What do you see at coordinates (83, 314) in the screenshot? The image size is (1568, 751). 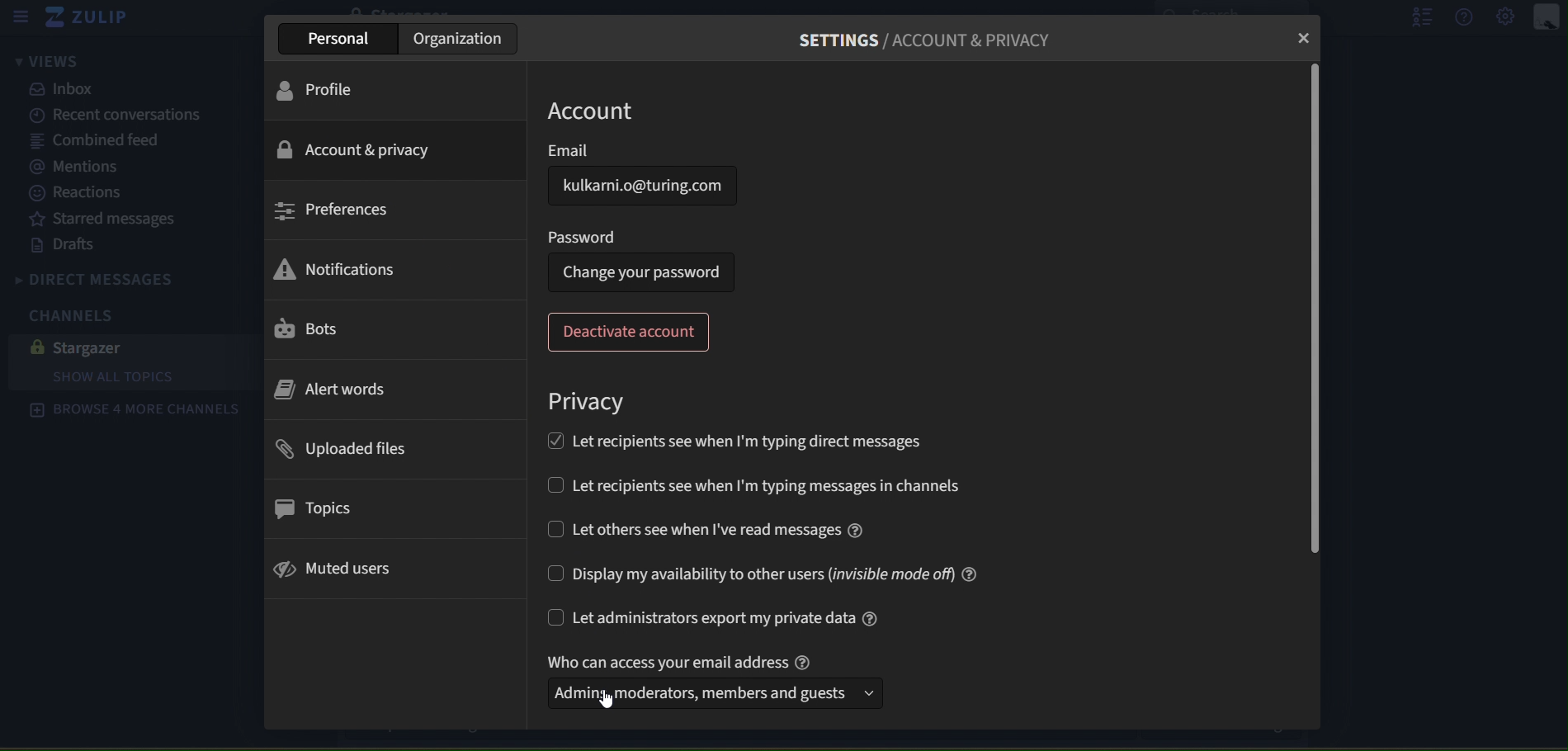 I see `channels` at bounding box center [83, 314].